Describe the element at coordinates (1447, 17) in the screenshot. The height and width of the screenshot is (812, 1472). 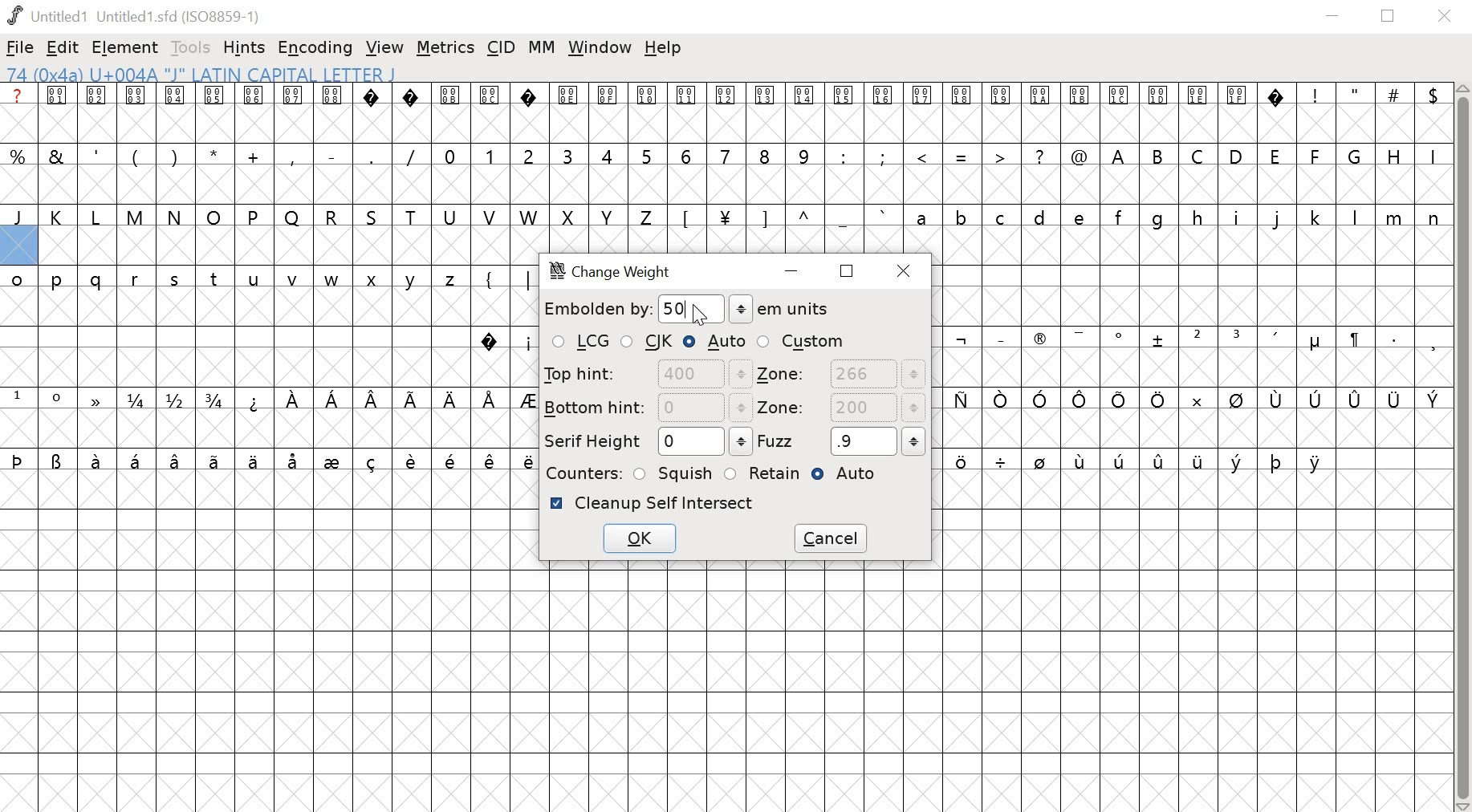
I see `close` at that location.